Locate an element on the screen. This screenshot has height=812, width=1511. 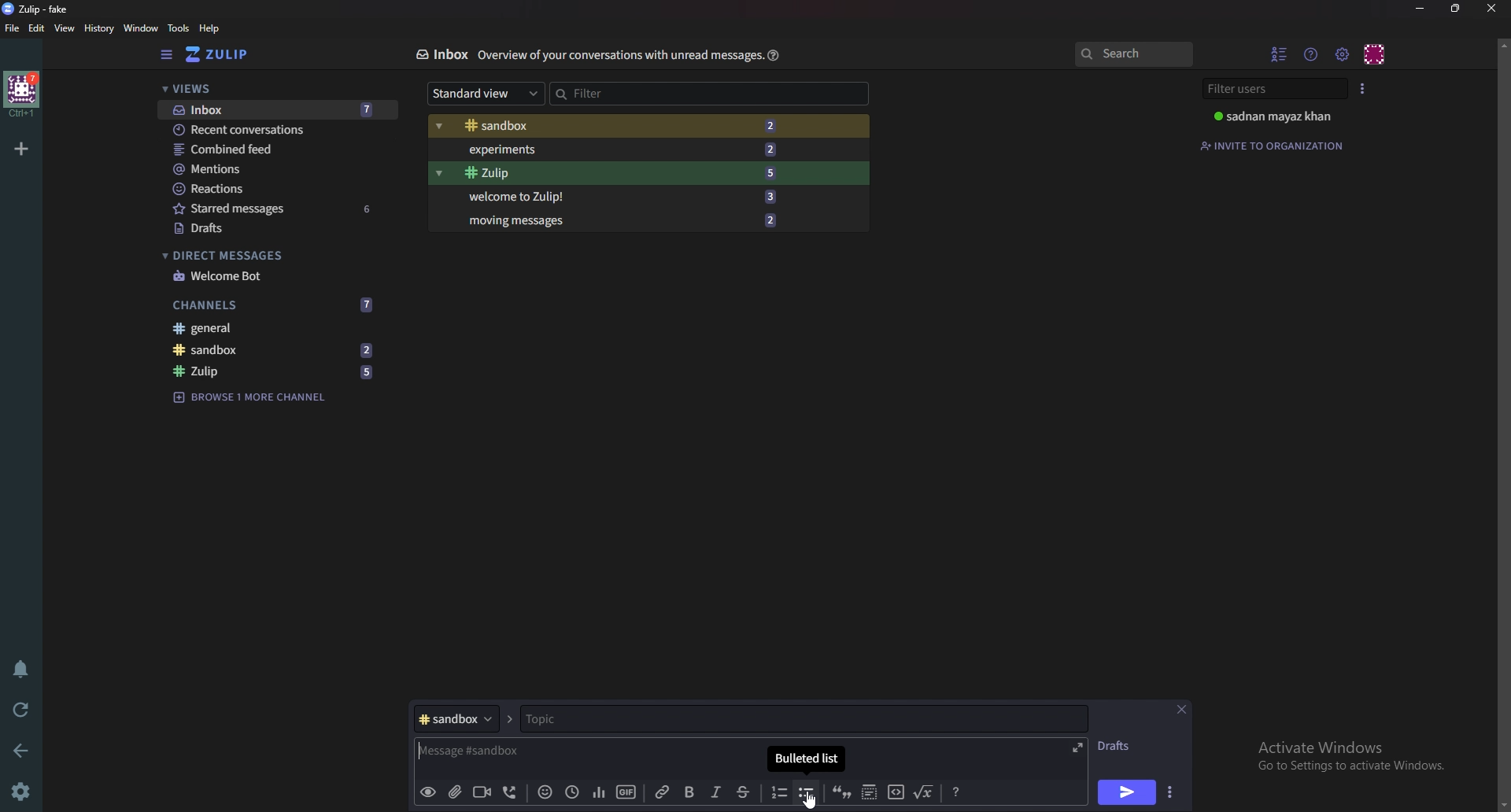
Experiments is located at coordinates (618, 149).